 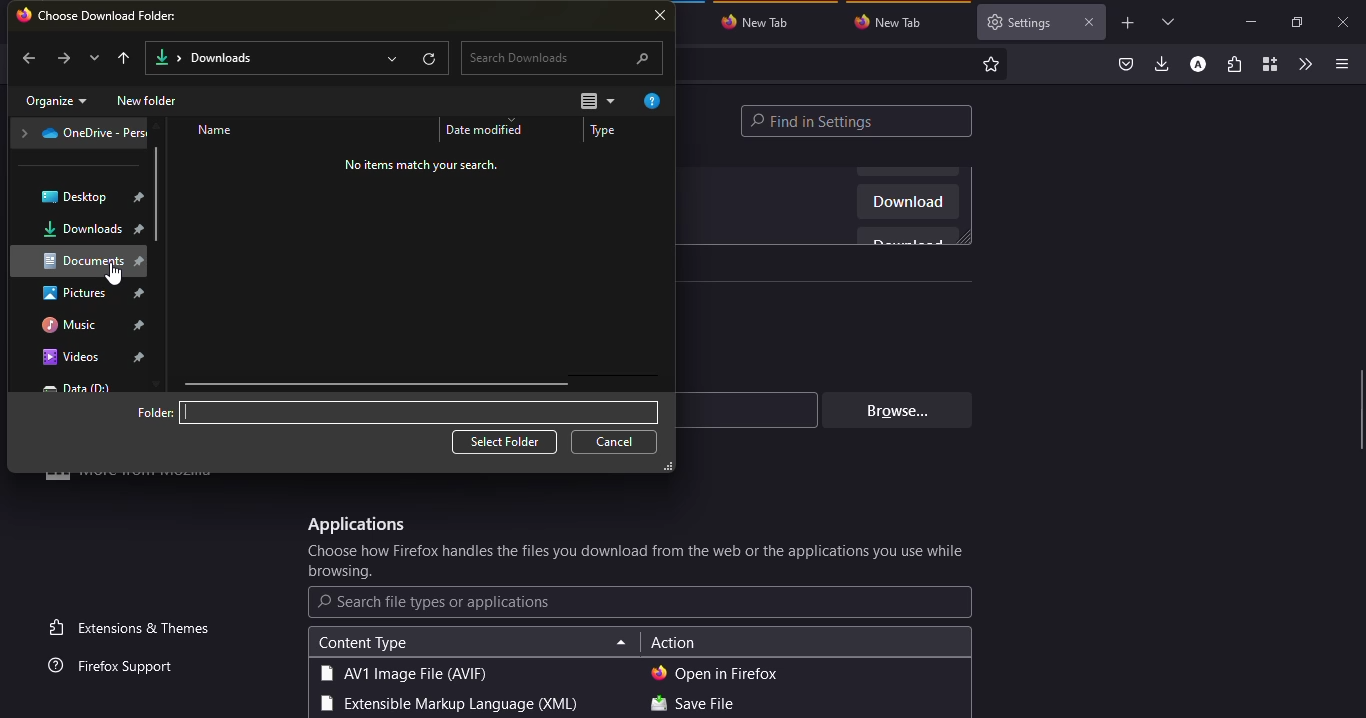 What do you see at coordinates (1250, 21) in the screenshot?
I see `minimize` at bounding box center [1250, 21].